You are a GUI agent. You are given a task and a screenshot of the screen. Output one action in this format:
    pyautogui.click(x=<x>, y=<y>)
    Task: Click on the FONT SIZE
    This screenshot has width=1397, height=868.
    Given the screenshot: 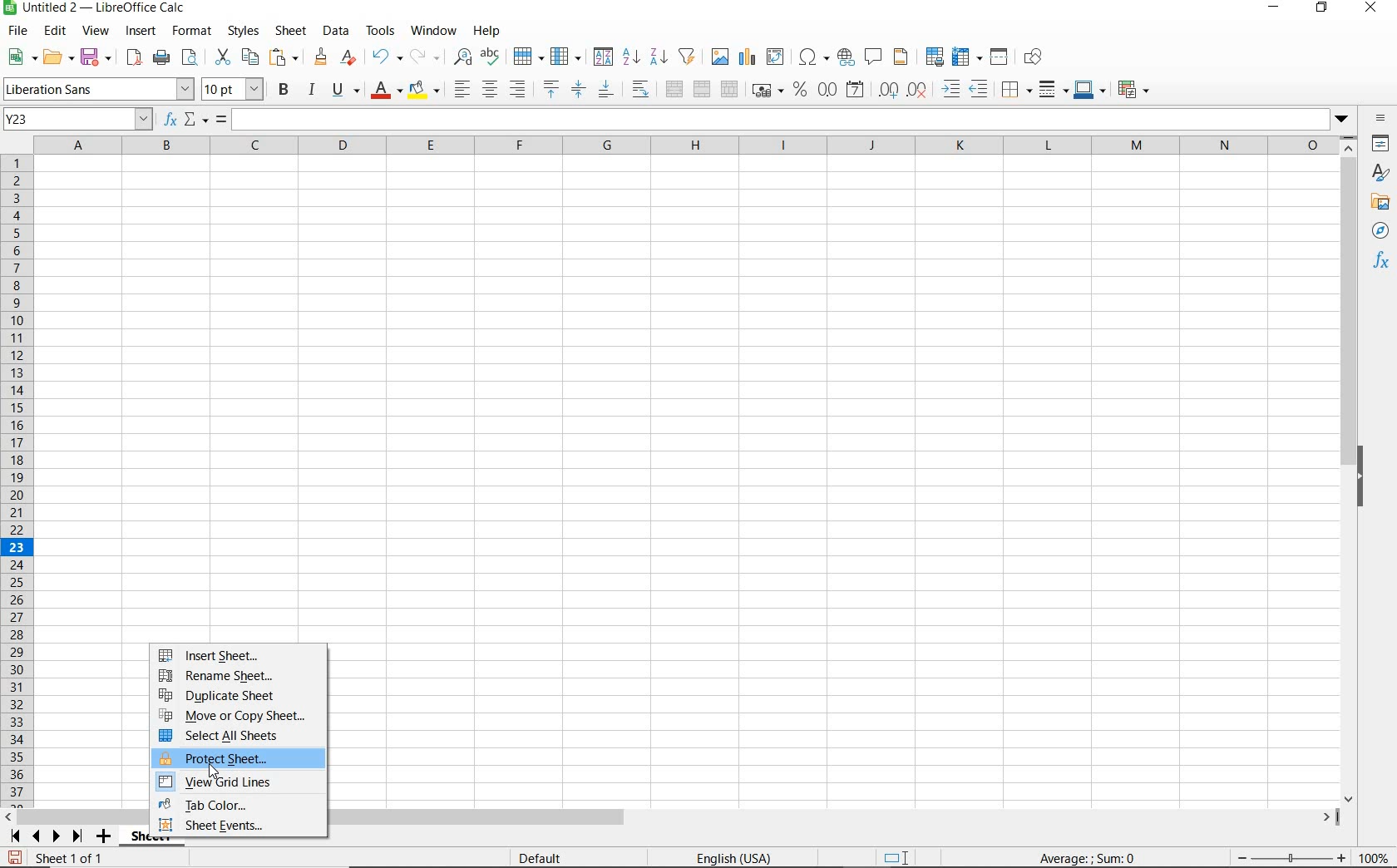 What is the action you would take?
    pyautogui.click(x=234, y=91)
    